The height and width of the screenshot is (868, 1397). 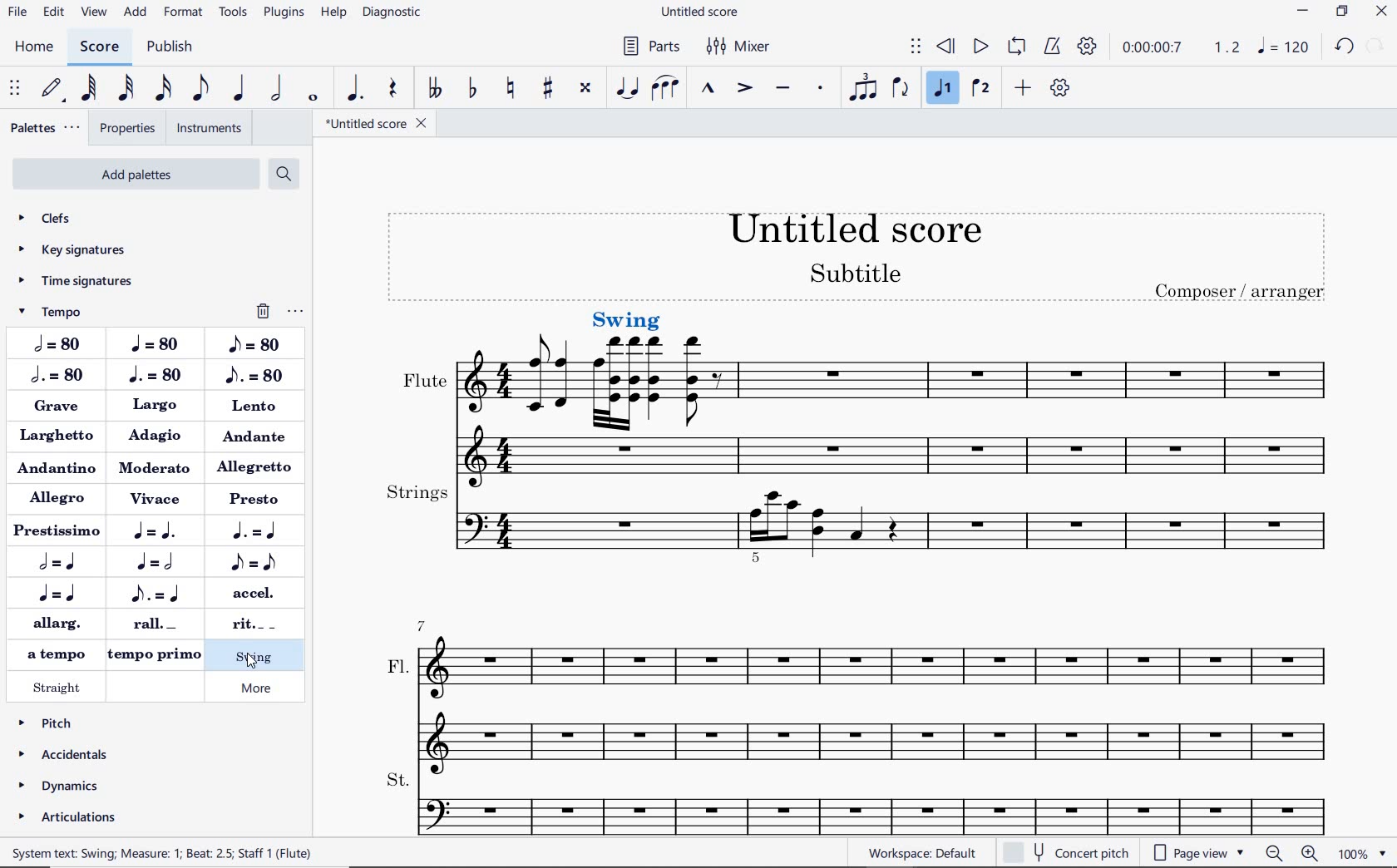 What do you see at coordinates (260, 309) in the screenshot?
I see `delete` at bounding box center [260, 309].